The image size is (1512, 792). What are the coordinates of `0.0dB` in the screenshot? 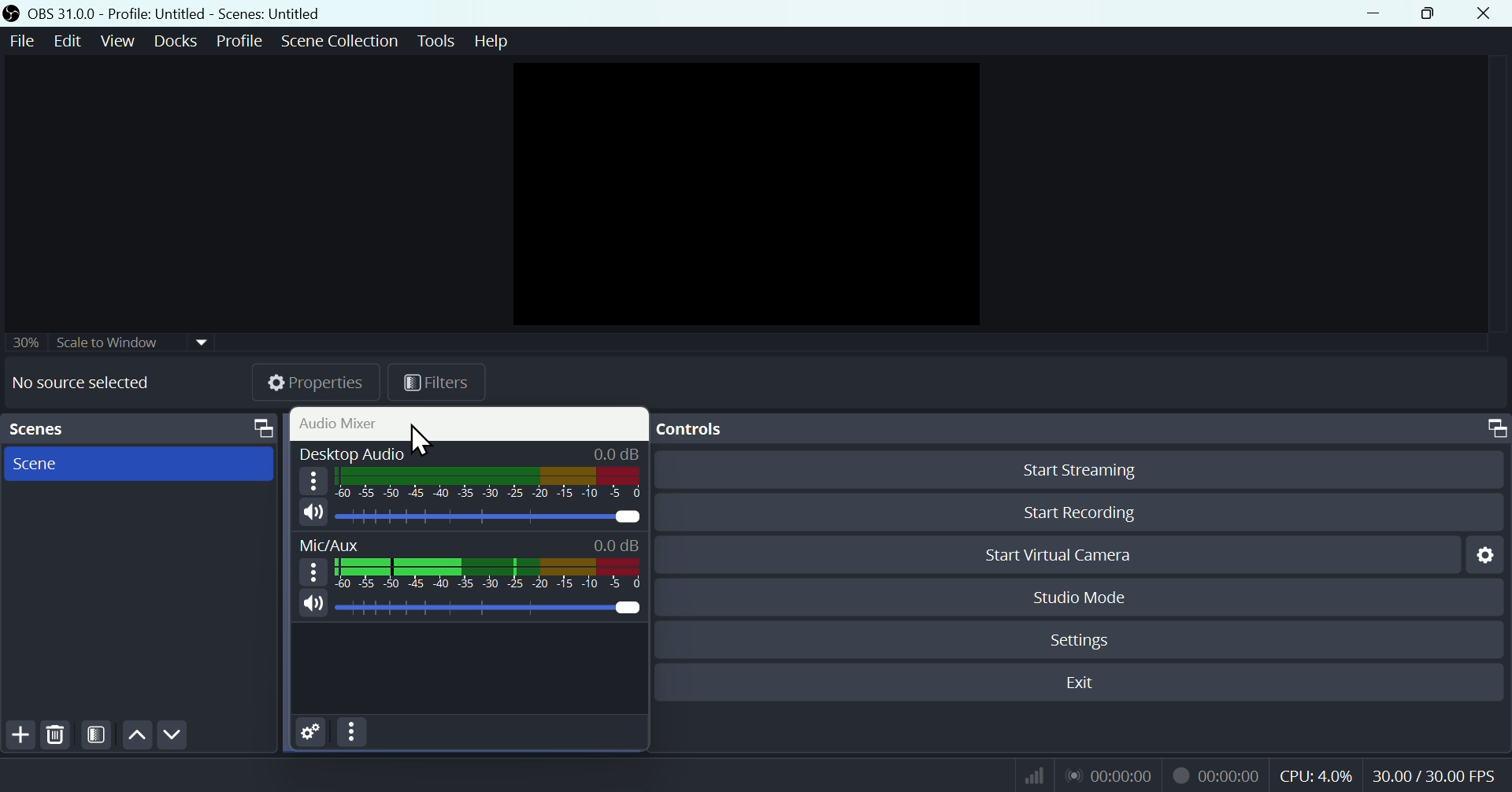 It's located at (619, 451).